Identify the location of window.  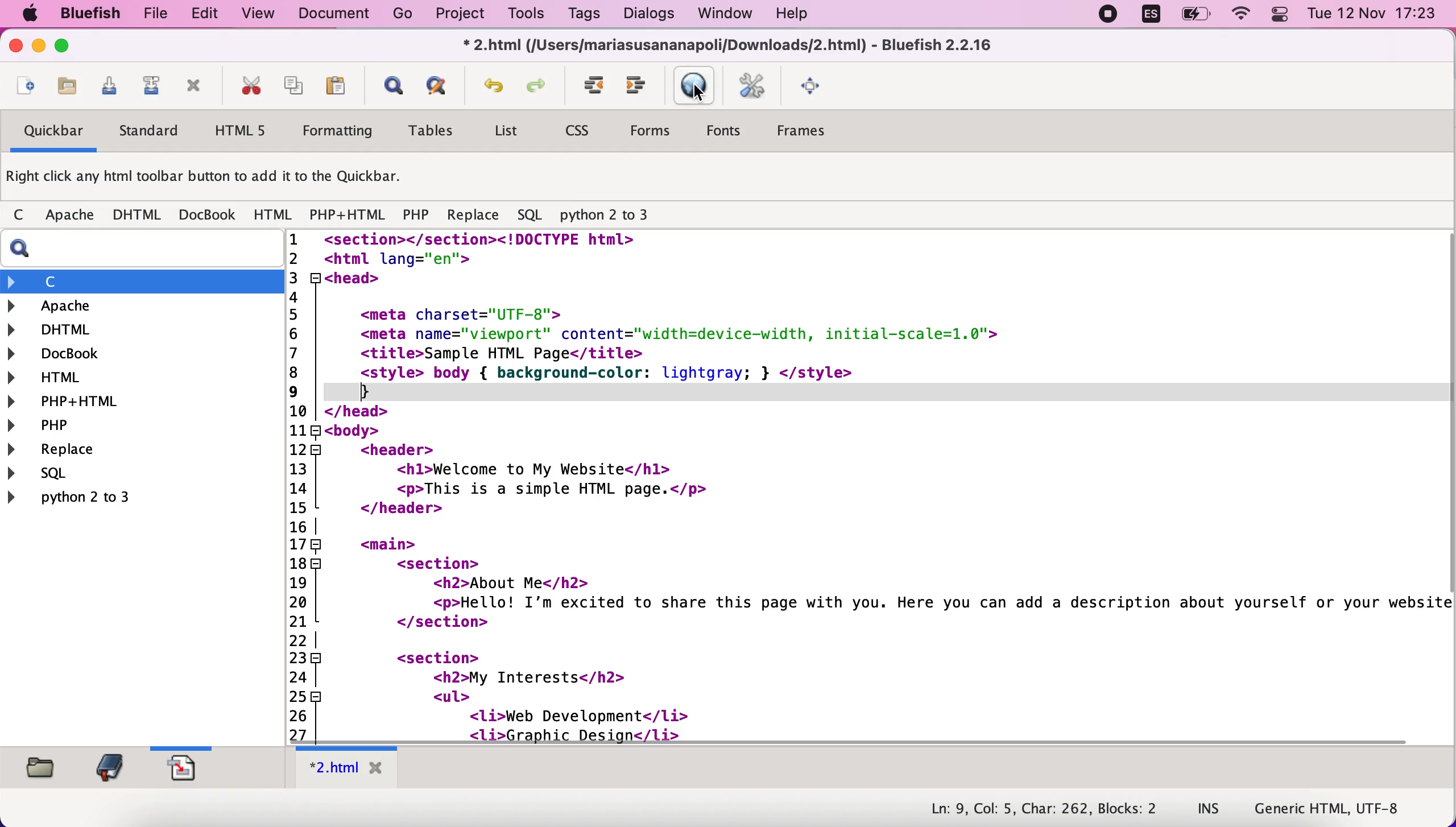
(728, 15).